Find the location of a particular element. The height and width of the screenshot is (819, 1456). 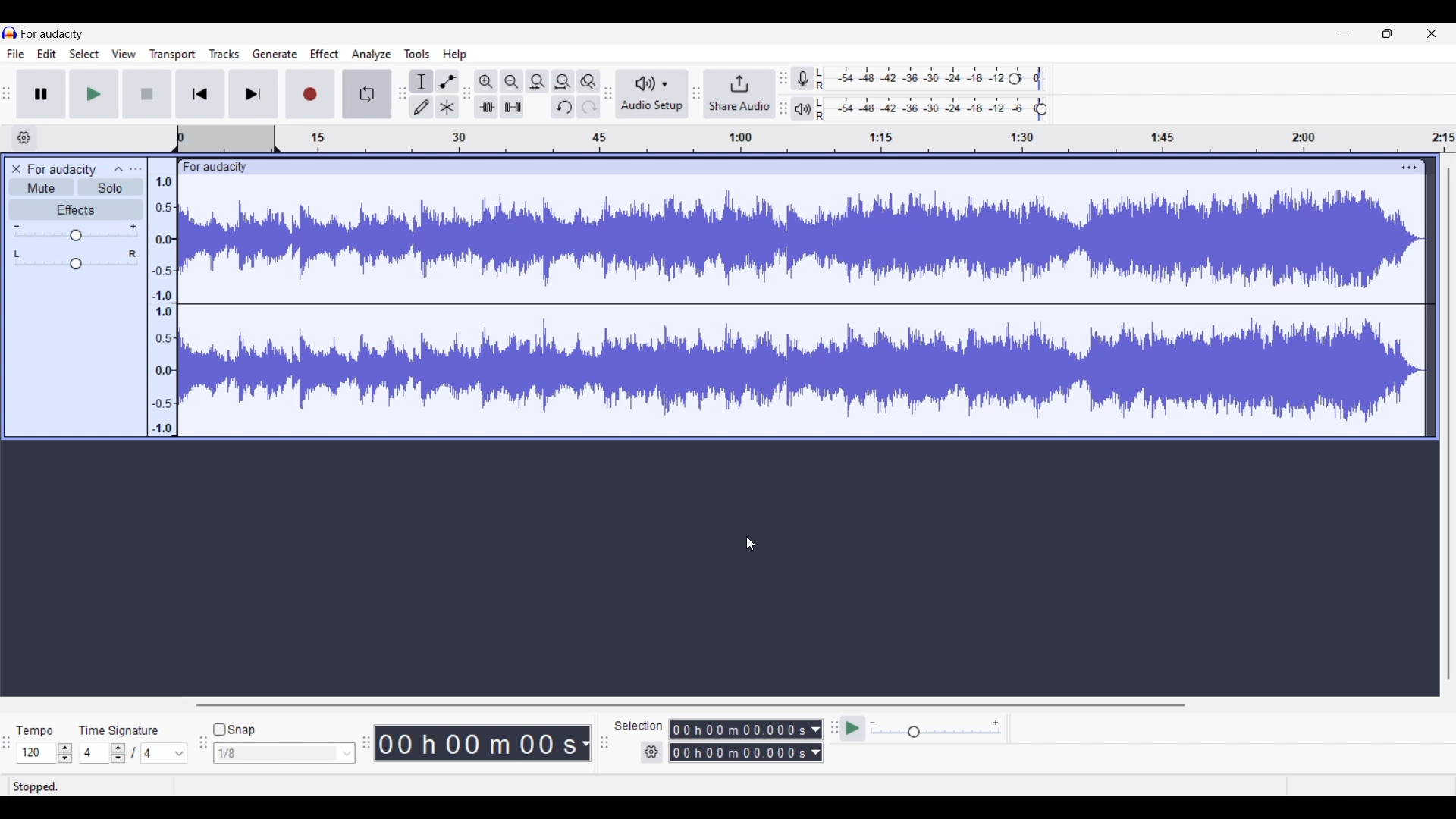

Open menu is located at coordinates (136, 169).